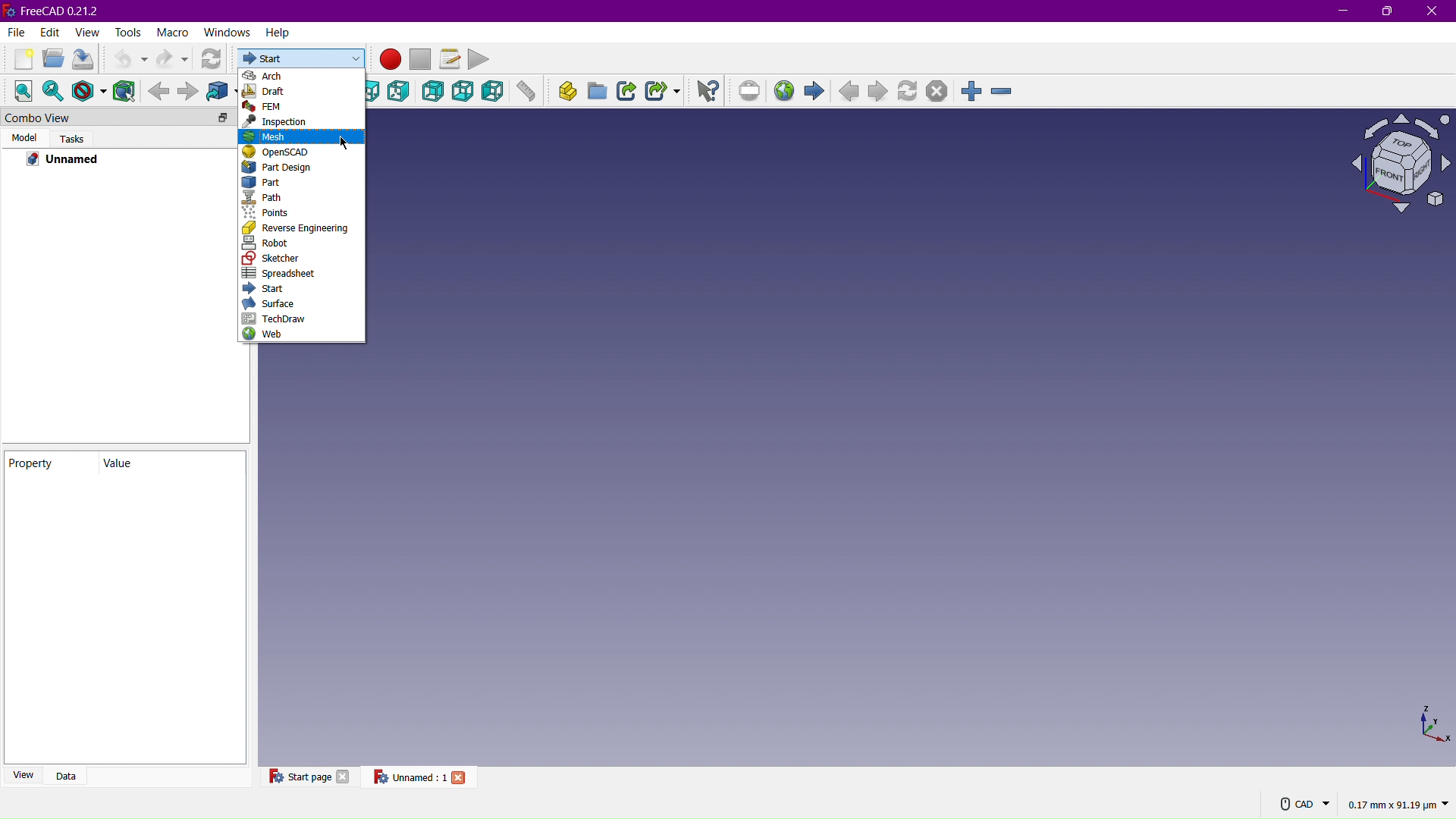 Image resolution: width=1456 pixels, height=819 pixels. I want to click on Maximize, so click(1389, 12).